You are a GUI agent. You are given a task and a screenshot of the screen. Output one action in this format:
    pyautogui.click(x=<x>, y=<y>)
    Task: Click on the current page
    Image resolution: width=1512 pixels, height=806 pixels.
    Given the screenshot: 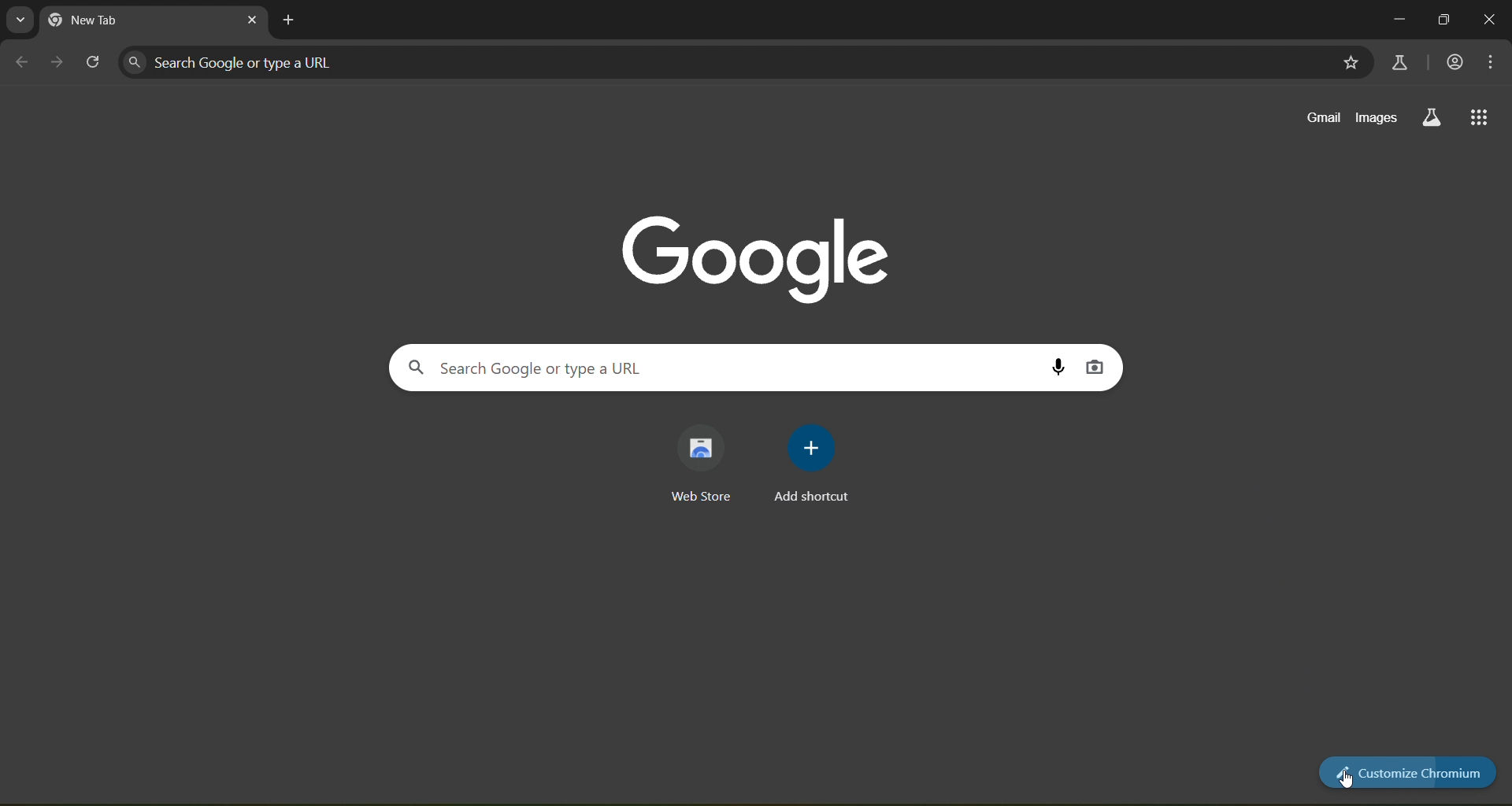 What is the action you would take?
    pyautogui.click(x=136, y=20)
    